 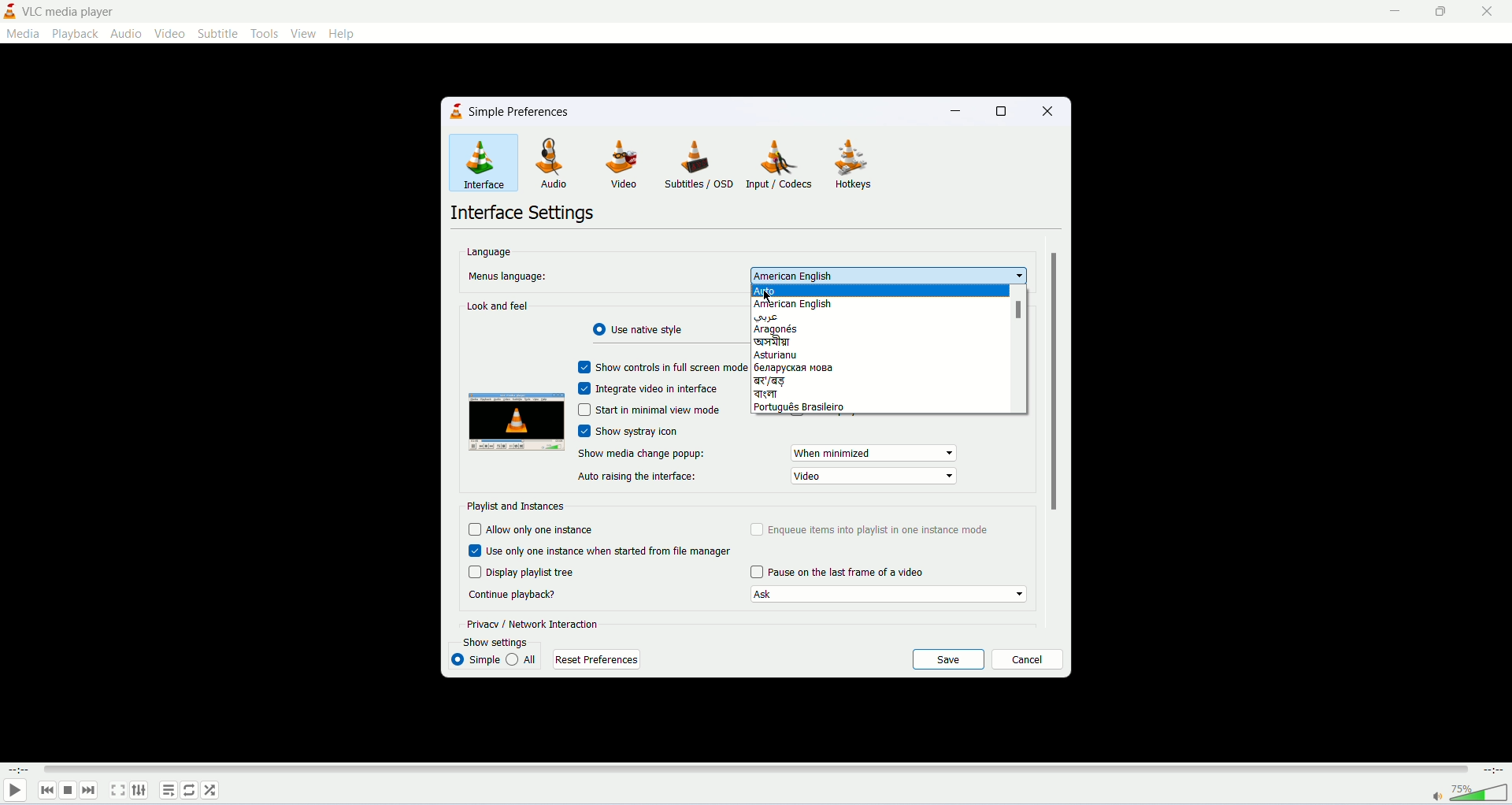 What do you see at coordinates (1495, 771) in the screenshot?
I see `total time` at bounding box center [1495, 771].